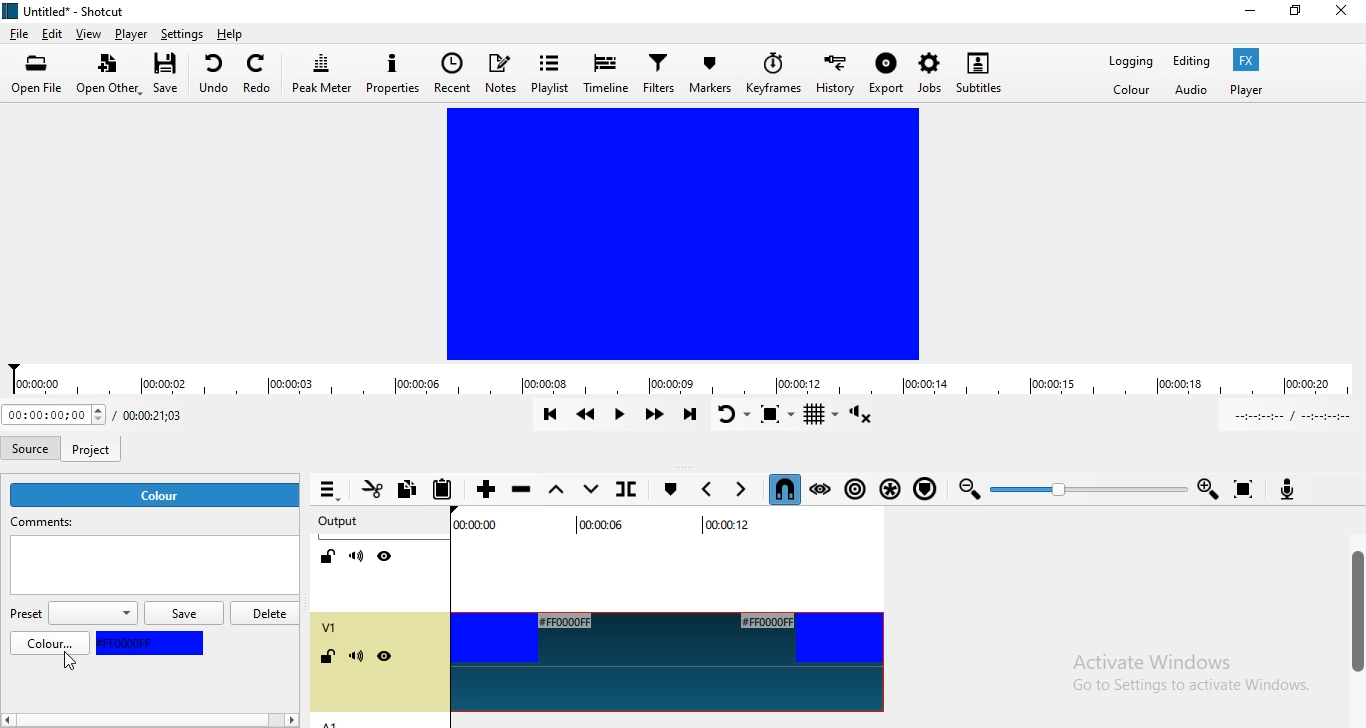 Image resolution: width=1366 pixels, height=728 pixels. I want to click on Open other , so click(106, 75).